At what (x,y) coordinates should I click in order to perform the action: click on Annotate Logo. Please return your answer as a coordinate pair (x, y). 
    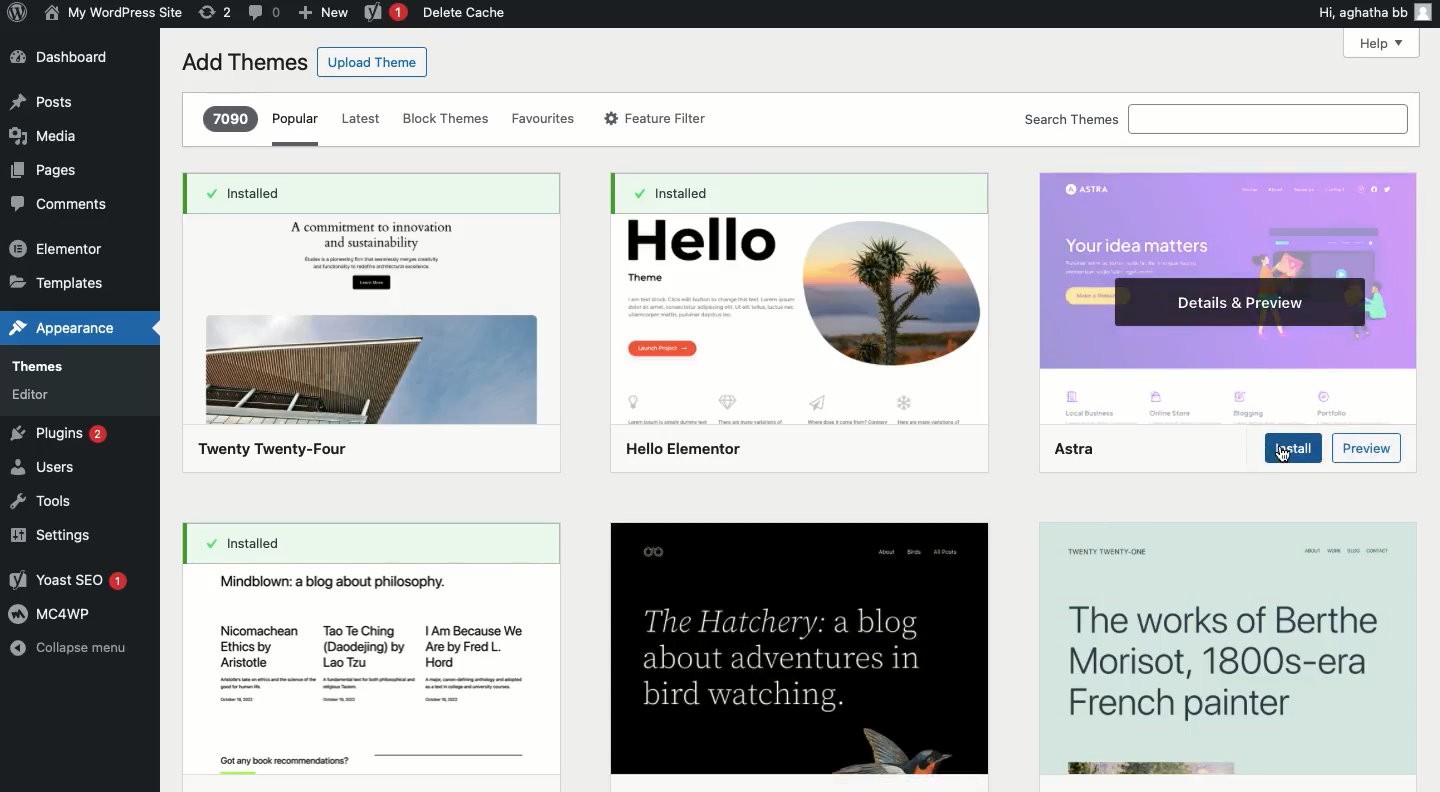
    Looking at the image, I should click on (17, 14).